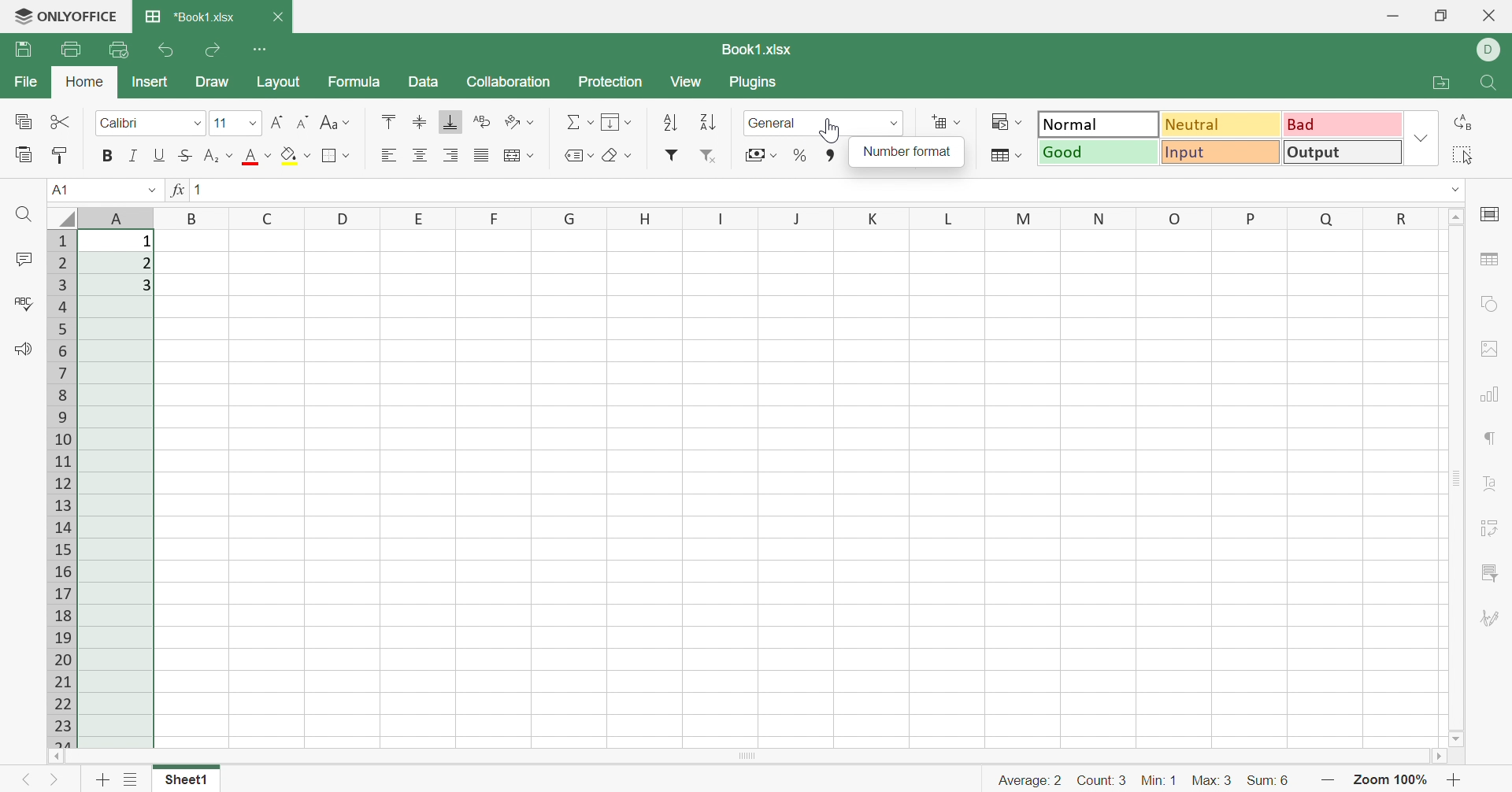 The image size is (1512, 792). Describe the element at coordinates (133, 155) in the screenshot. I see `Italic` at that location.